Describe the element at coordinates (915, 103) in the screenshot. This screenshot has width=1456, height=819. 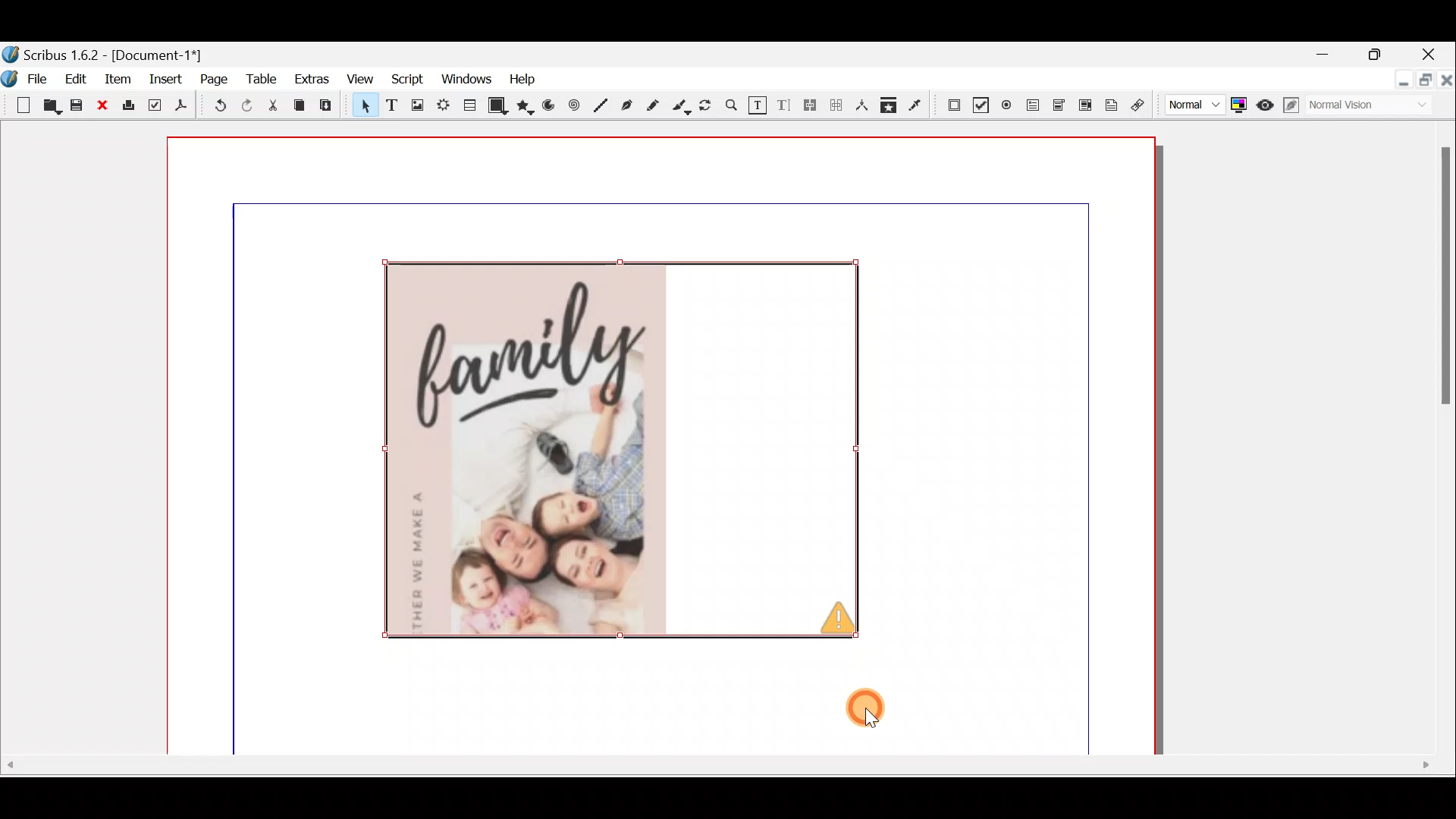
I see `Eye dropper` at that location.